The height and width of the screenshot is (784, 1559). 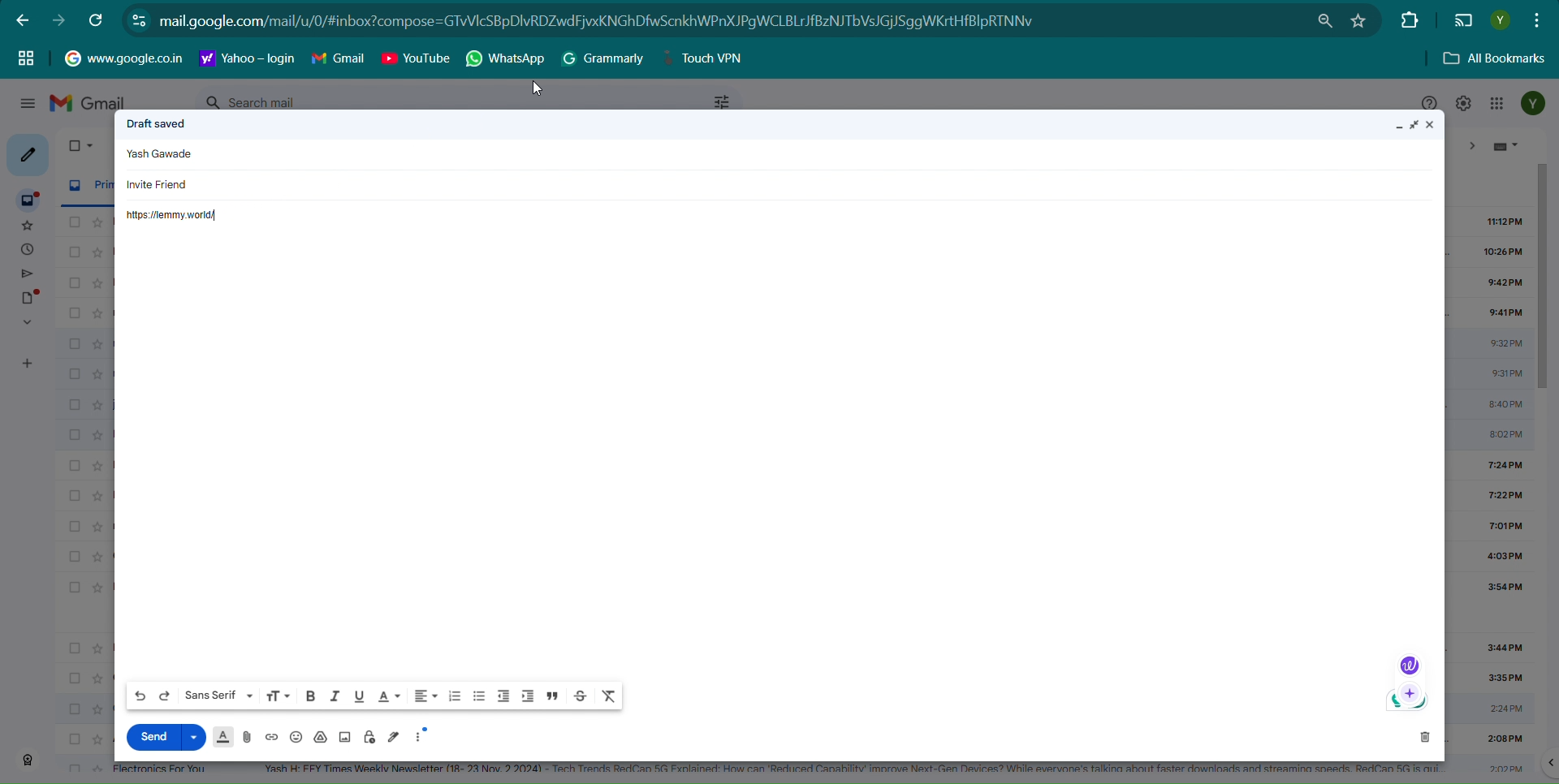 I want to click on Install Lemmy.world, so click(x=1328, y=21).